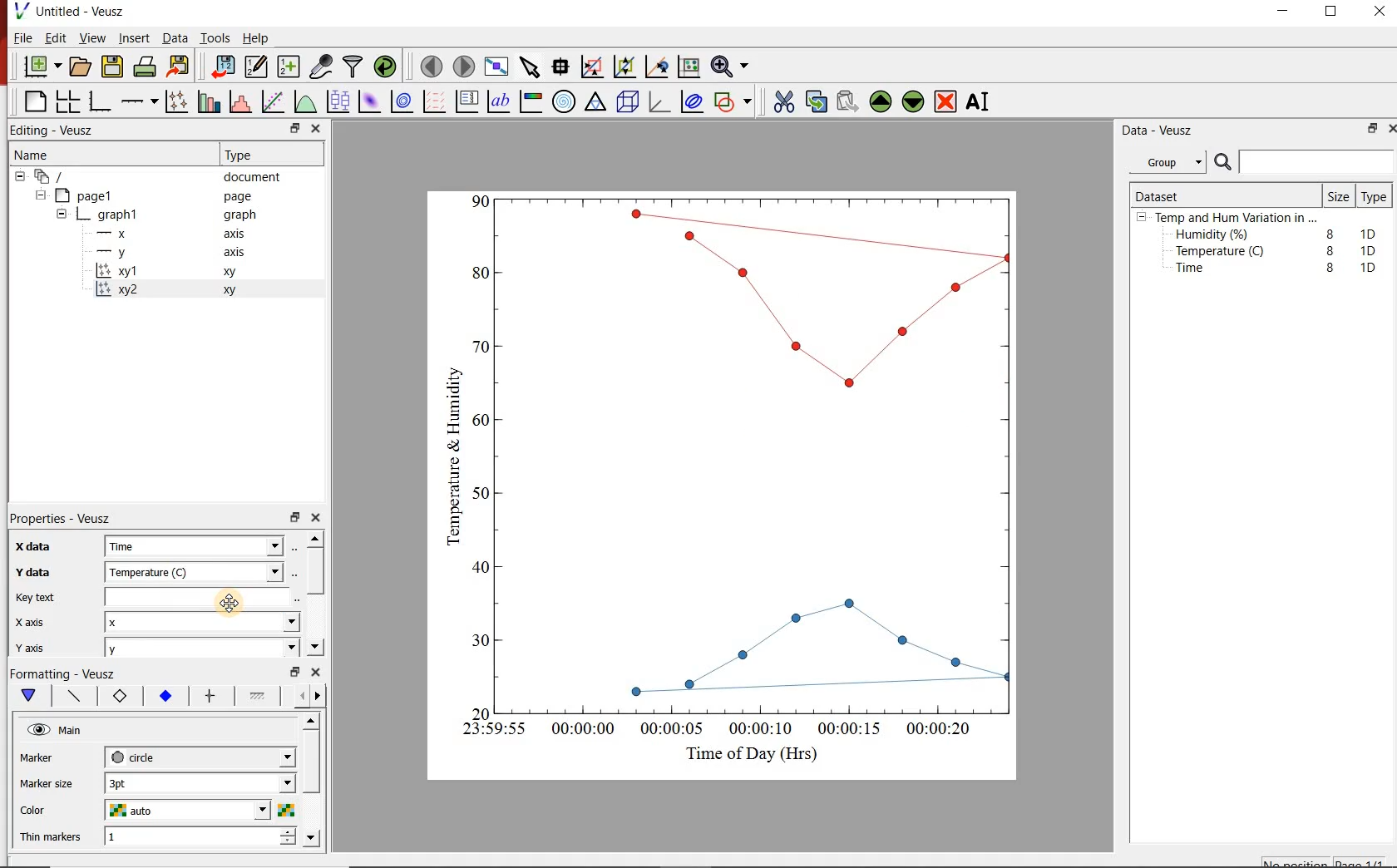  What do you see at coordinates (430, 67) in the screenshot?
I see `move to the previous page` at bounding box center [430, 67].